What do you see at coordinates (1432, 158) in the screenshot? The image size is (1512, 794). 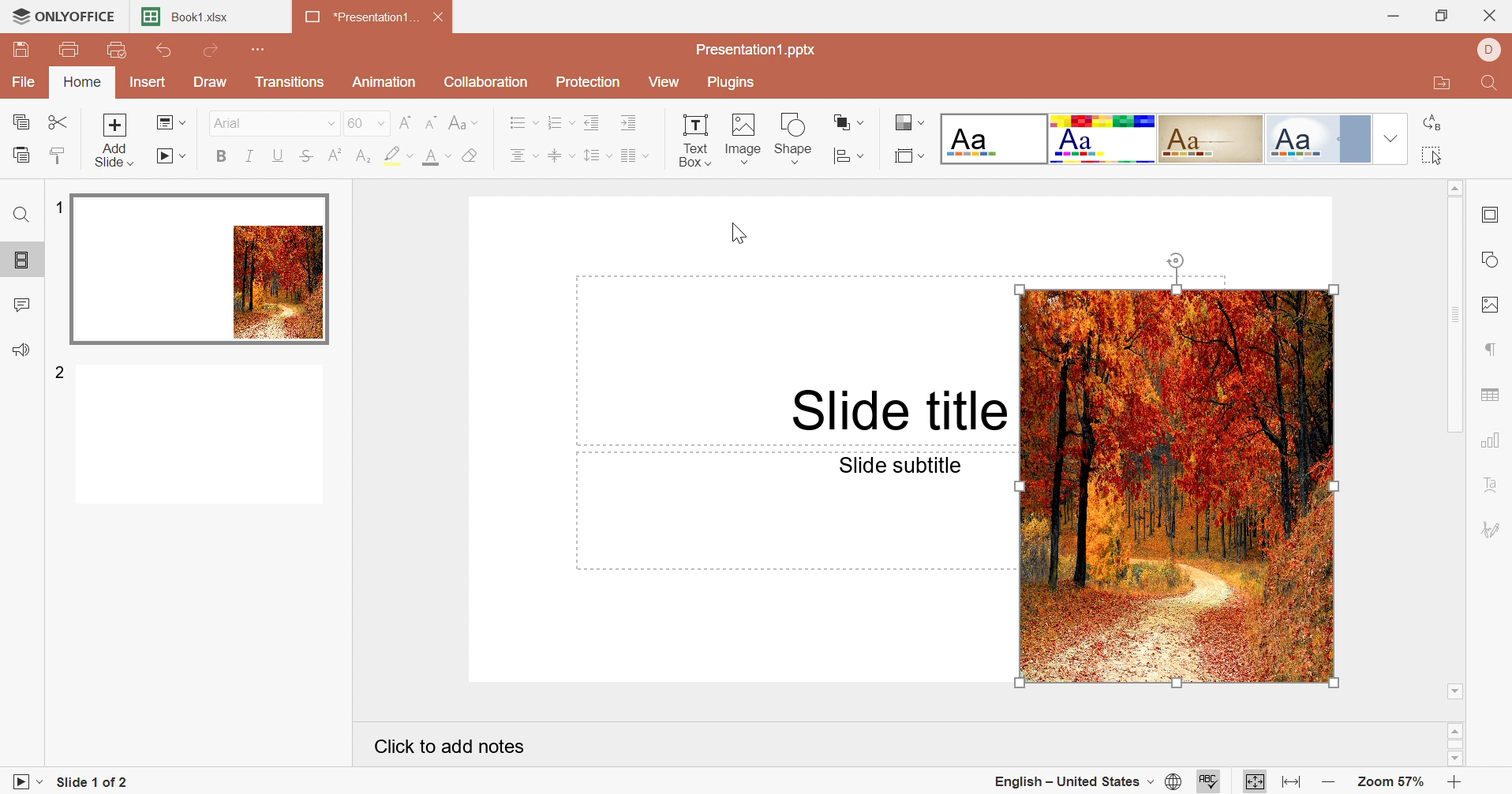 I see `Select all` at bounding box center [1432, 158].